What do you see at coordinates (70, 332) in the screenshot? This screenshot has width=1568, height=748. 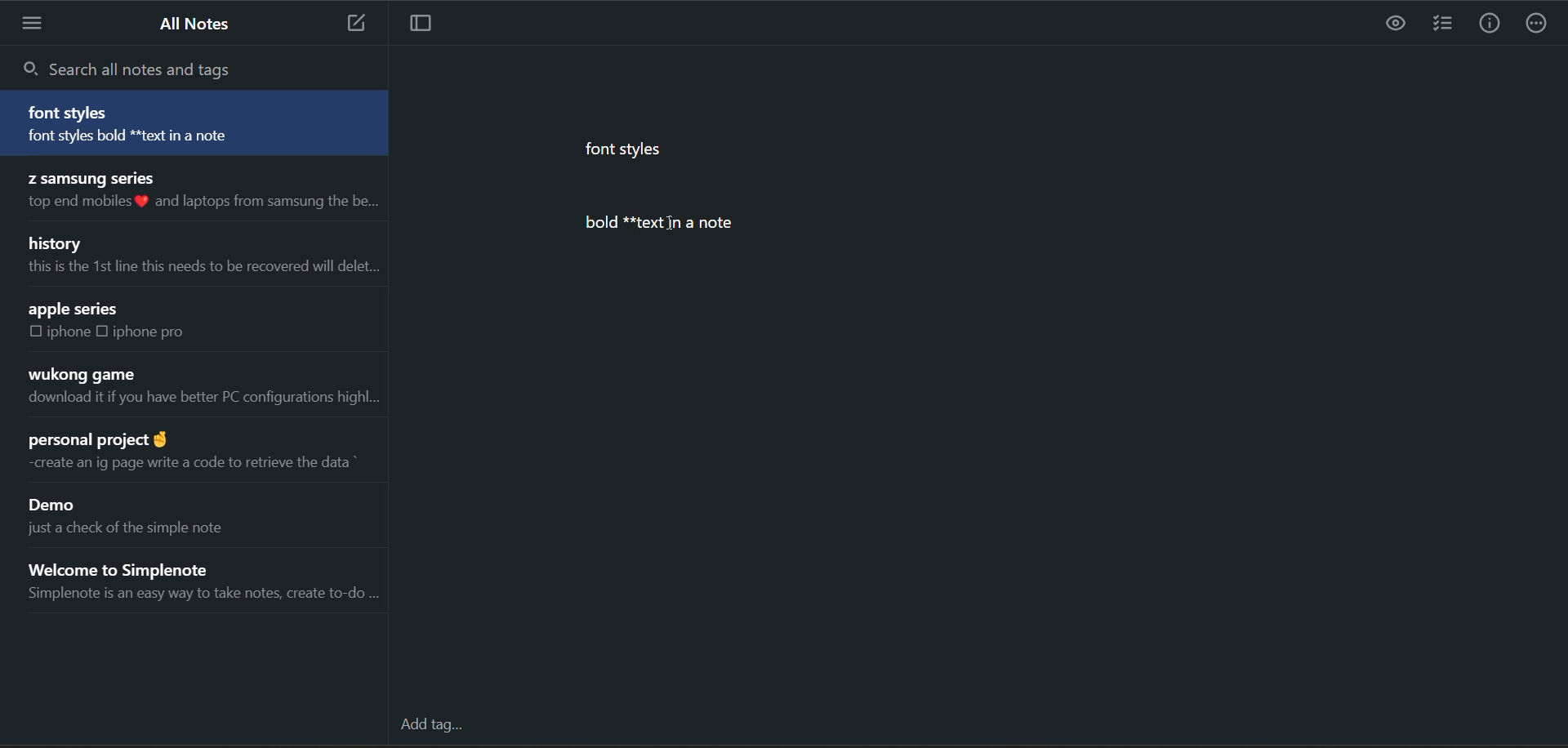 I see `iphone` at bounding box center [70, 332].